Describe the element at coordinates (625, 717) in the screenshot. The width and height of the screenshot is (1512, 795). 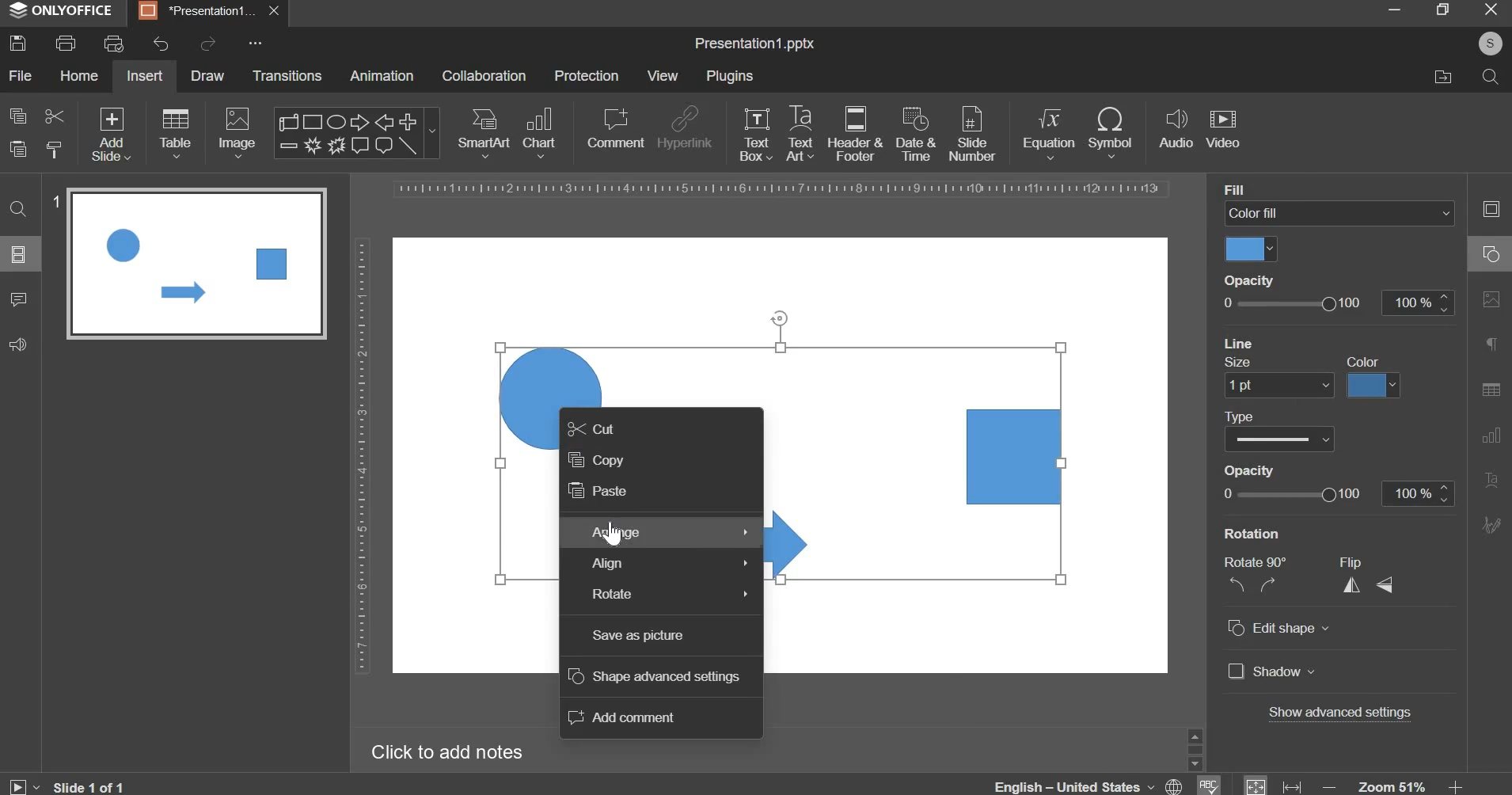
I see `add comment` at that location.